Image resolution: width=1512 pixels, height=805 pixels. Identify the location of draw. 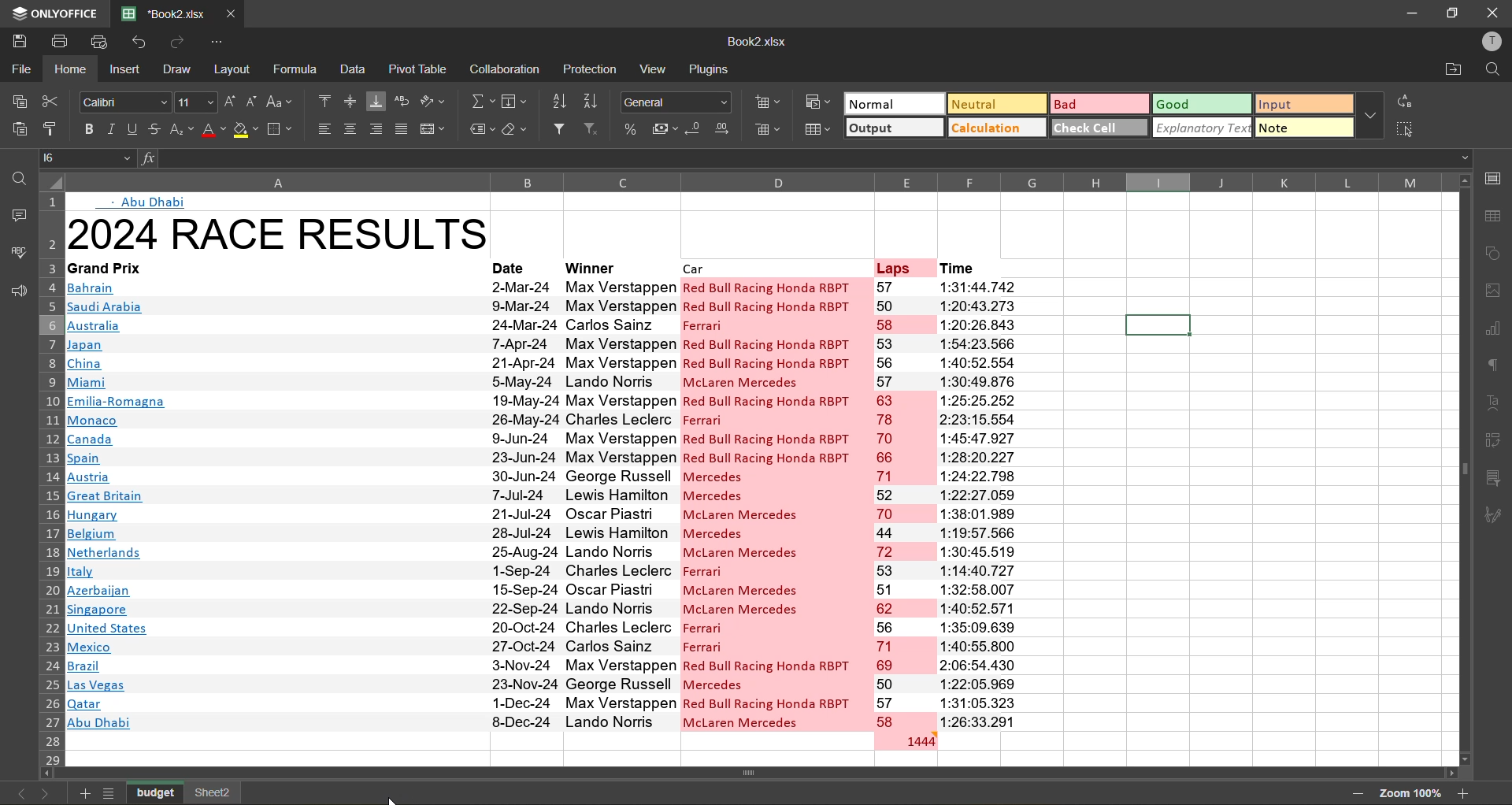
(180, 69).